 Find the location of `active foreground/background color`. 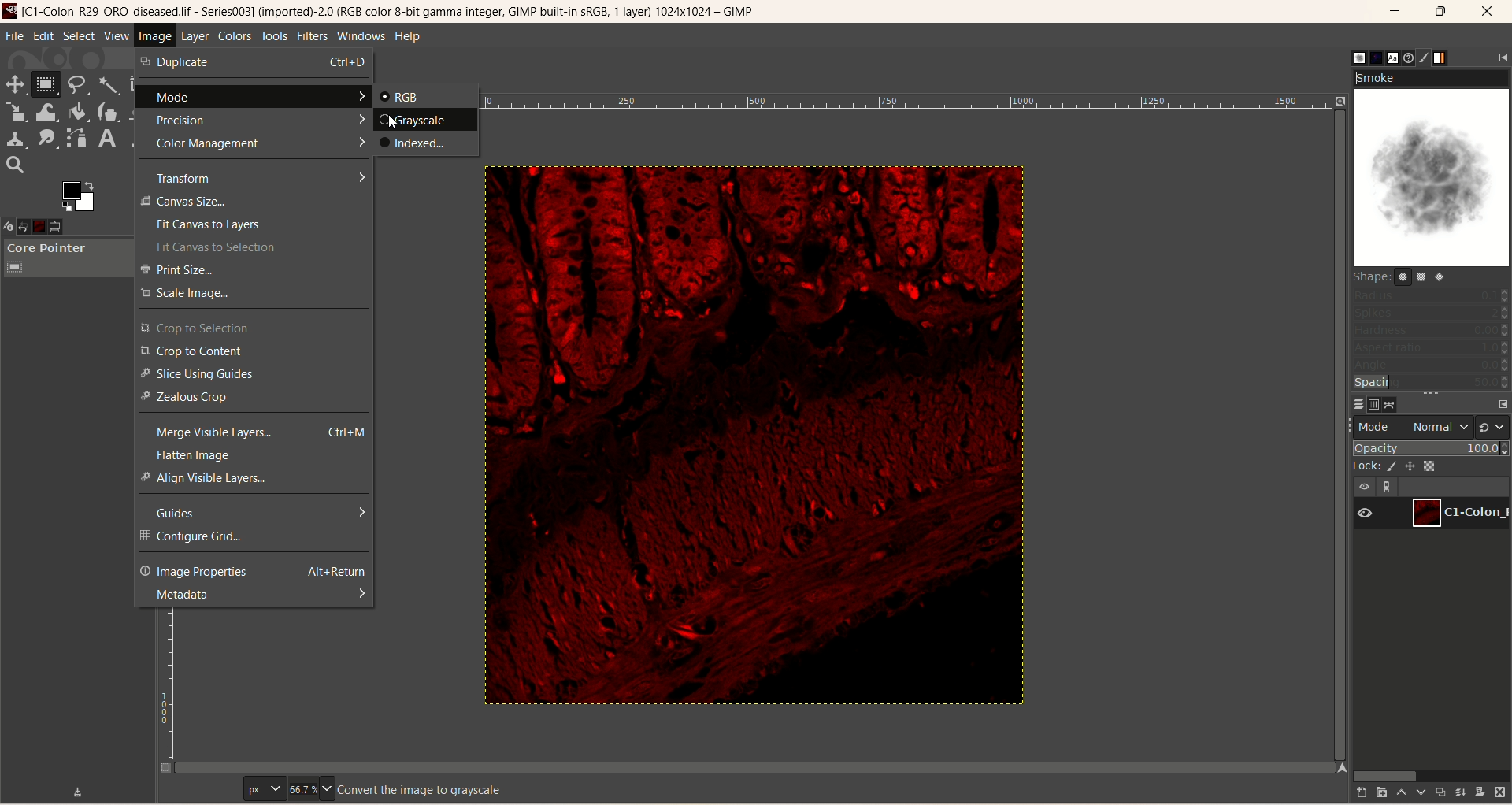

active foreground/background color is located at coordinates (79, 196).